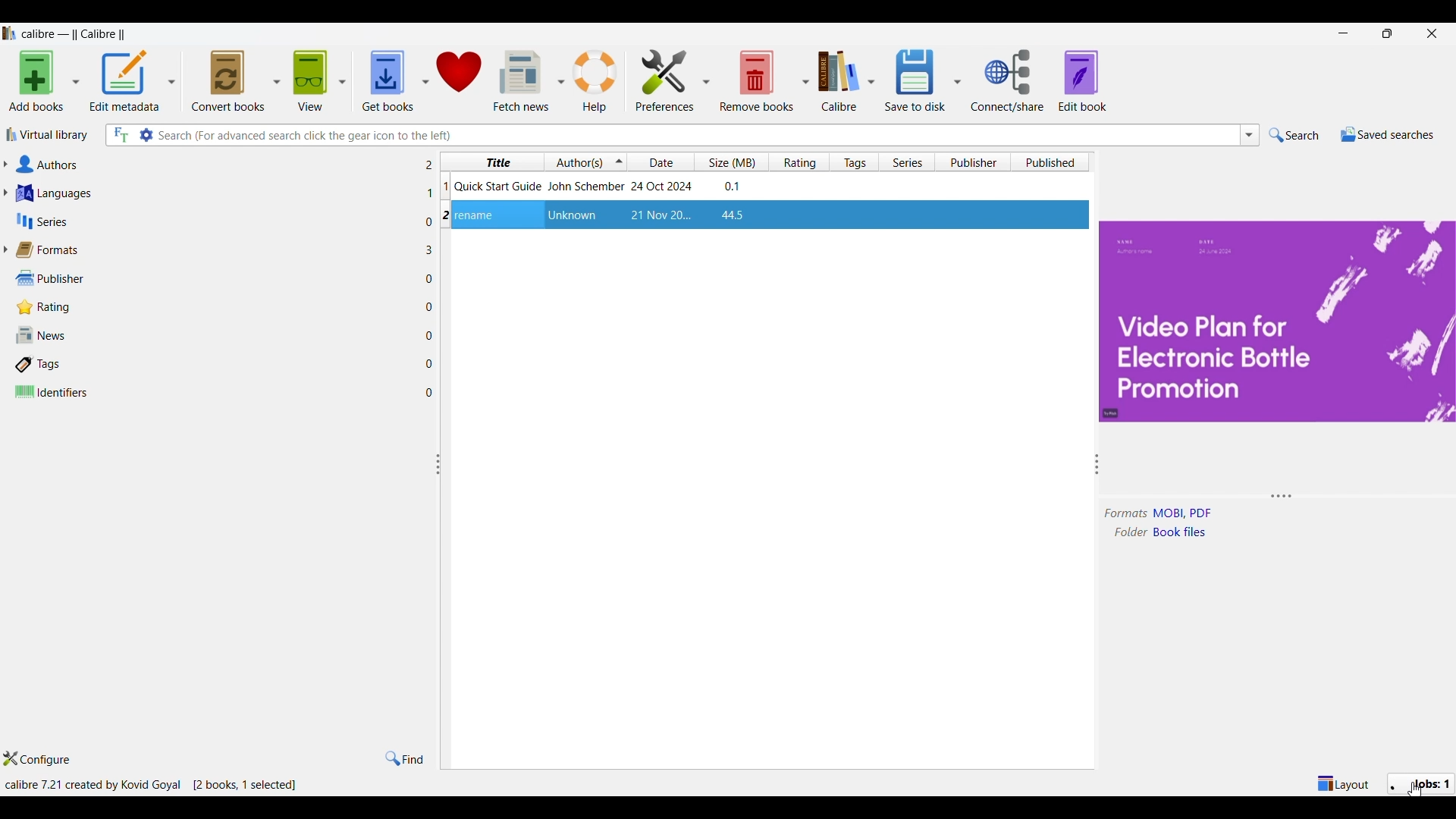 The image size is (1456, 819). What do you see at coordinates (698, 136) in the screenshot?
I see `Type in search` at bounding box center [698, 136].